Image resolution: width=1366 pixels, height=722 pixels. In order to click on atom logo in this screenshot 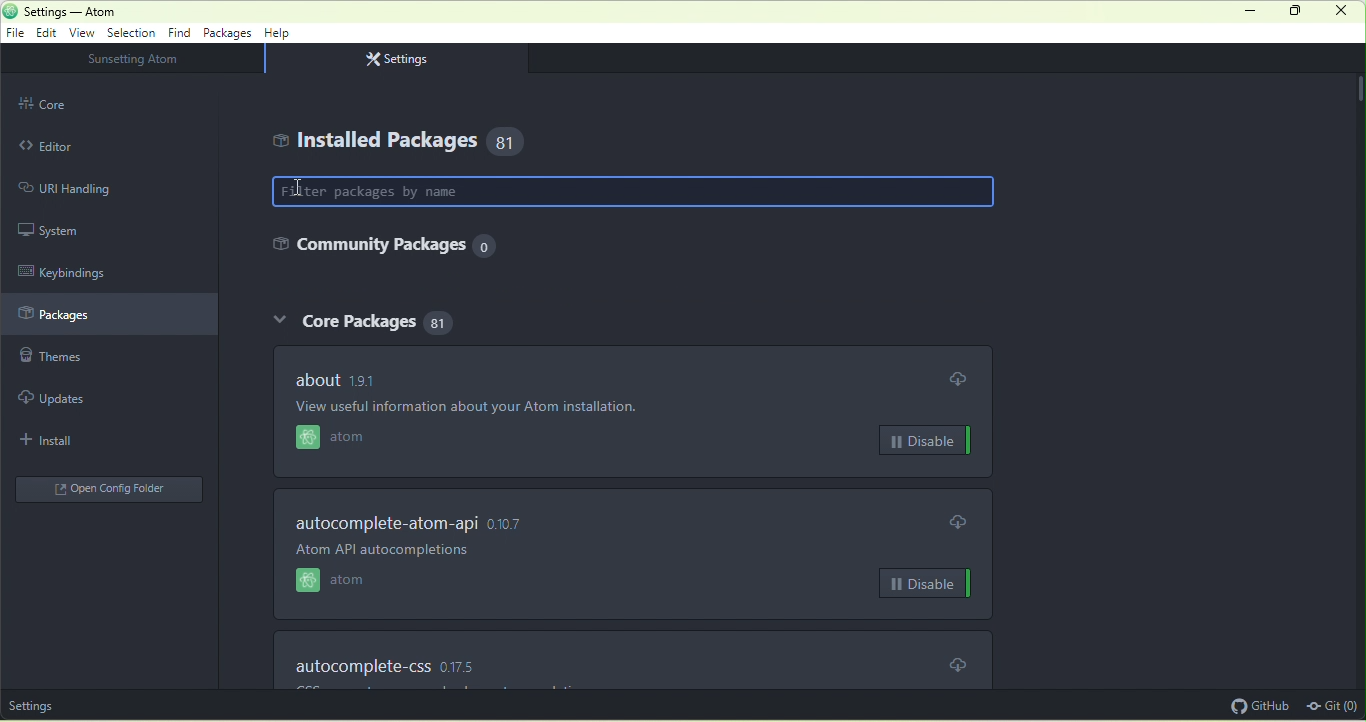, I will do `click(304, 439)`.